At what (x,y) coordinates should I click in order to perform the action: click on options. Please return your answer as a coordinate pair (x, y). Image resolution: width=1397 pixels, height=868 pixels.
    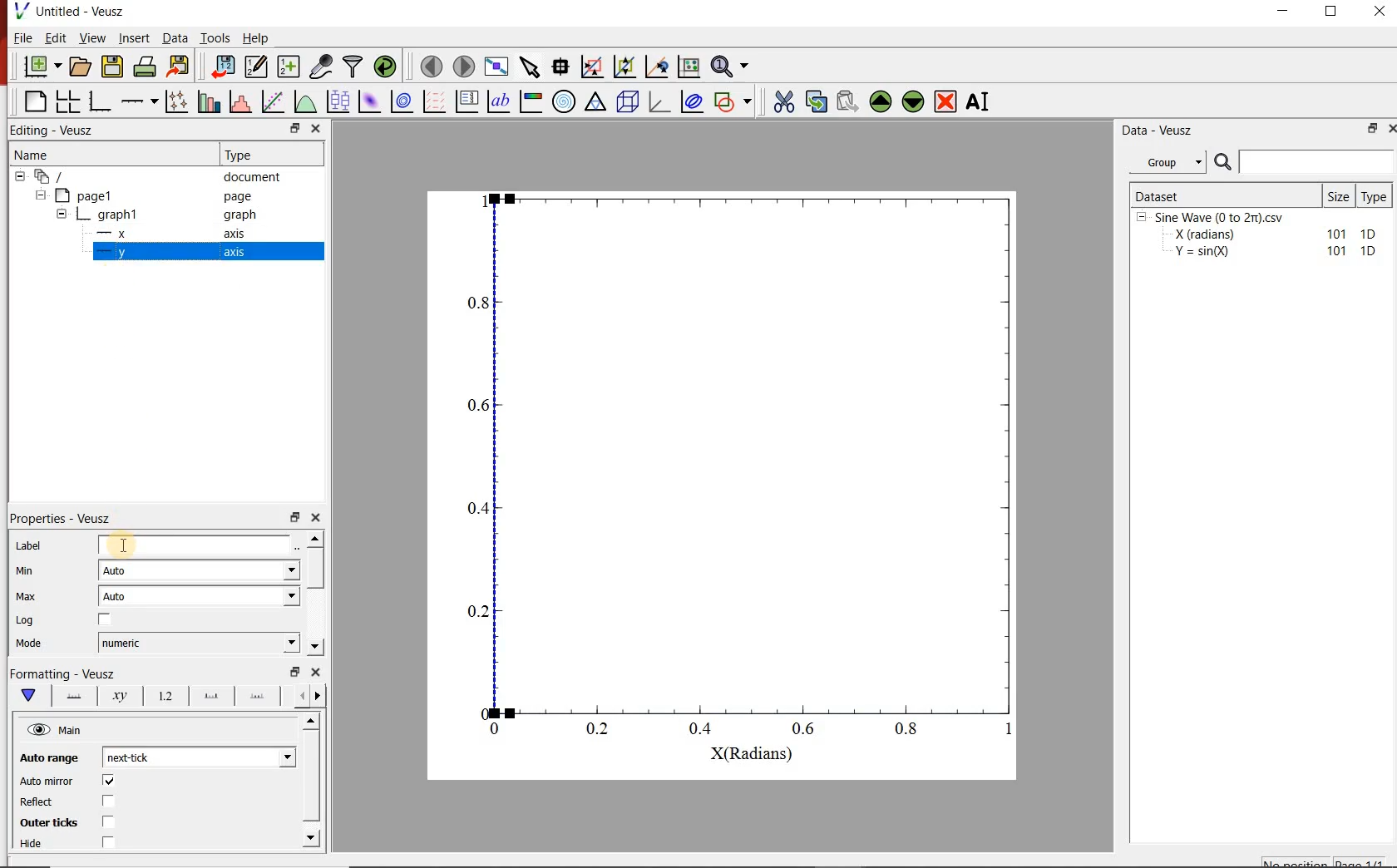
    Looking at the image, I should click on (208, 697).